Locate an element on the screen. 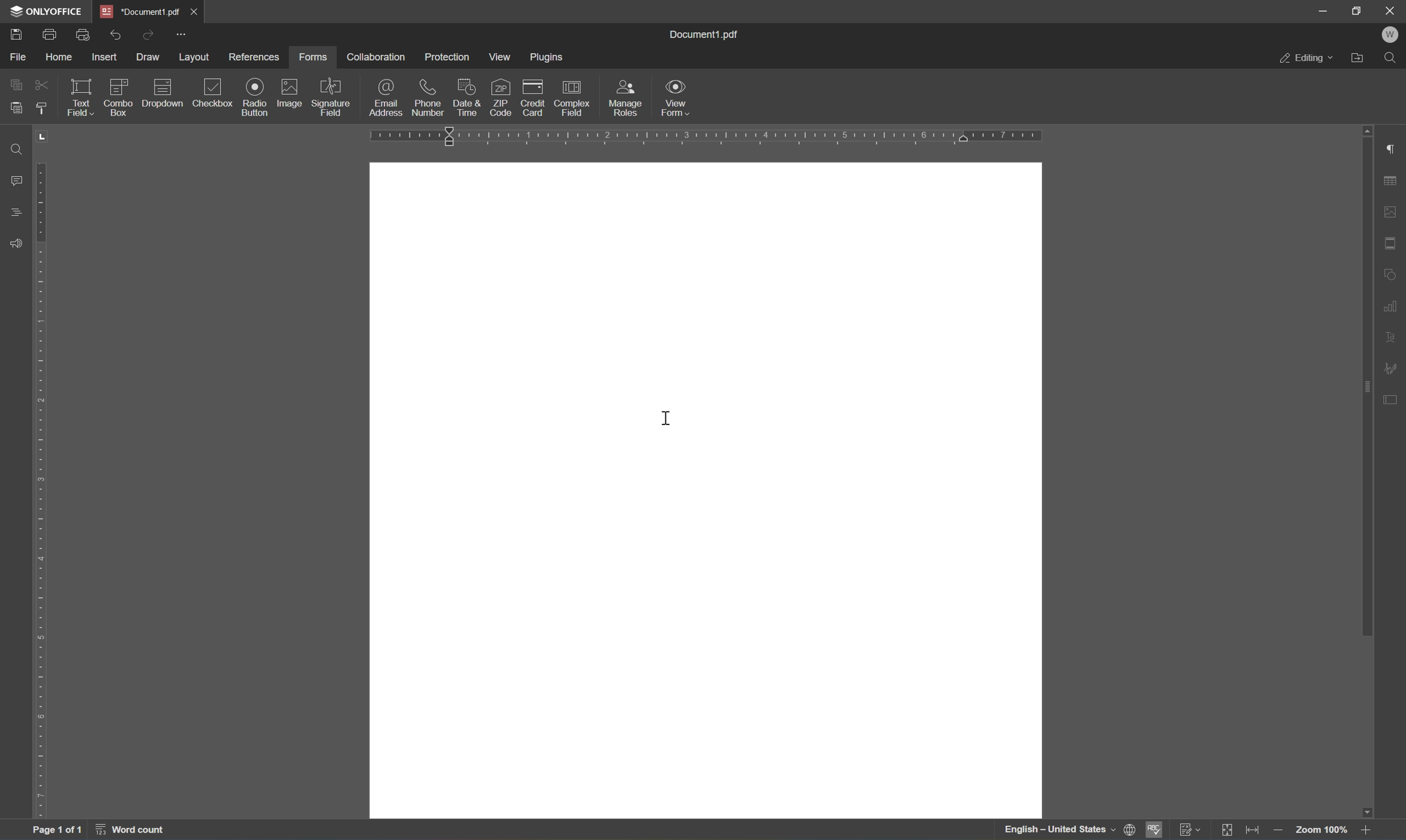 The width and height of the screenshot is (1406, 840). zip code is located at coordinates (502, 97).